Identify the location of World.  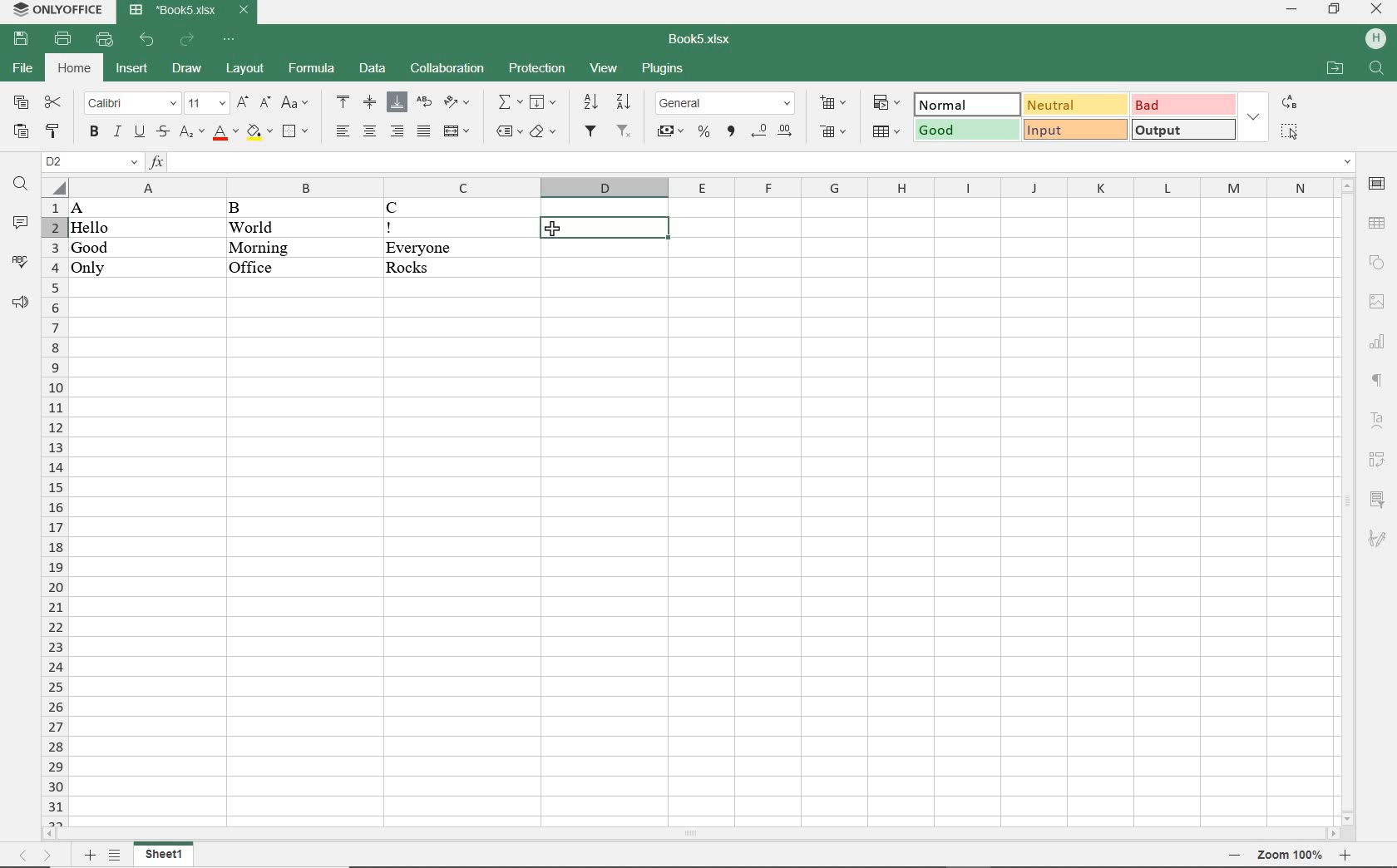
(274, 226).